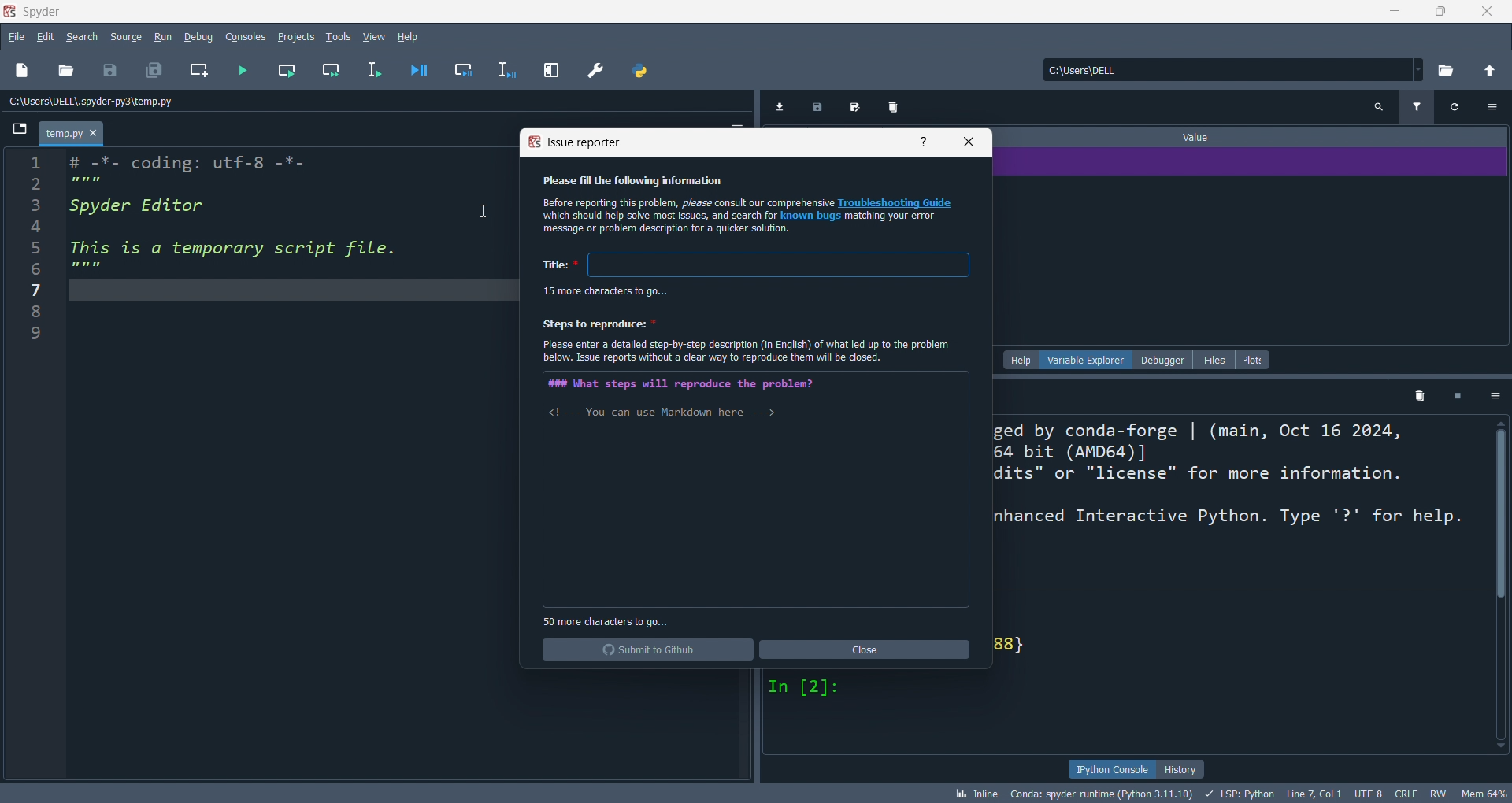 The width and height of the screenshot is (1512, 803). Describe the element at coordinates (752, 207) in the screenshot. I see `Please fill the following information

Before reporting this problem, please consult our comprehensive Troubleshooting Guide
‘which should help solve most issues, and search for known bugs matching your error
message or problem description for a quicker solution.` at that location.